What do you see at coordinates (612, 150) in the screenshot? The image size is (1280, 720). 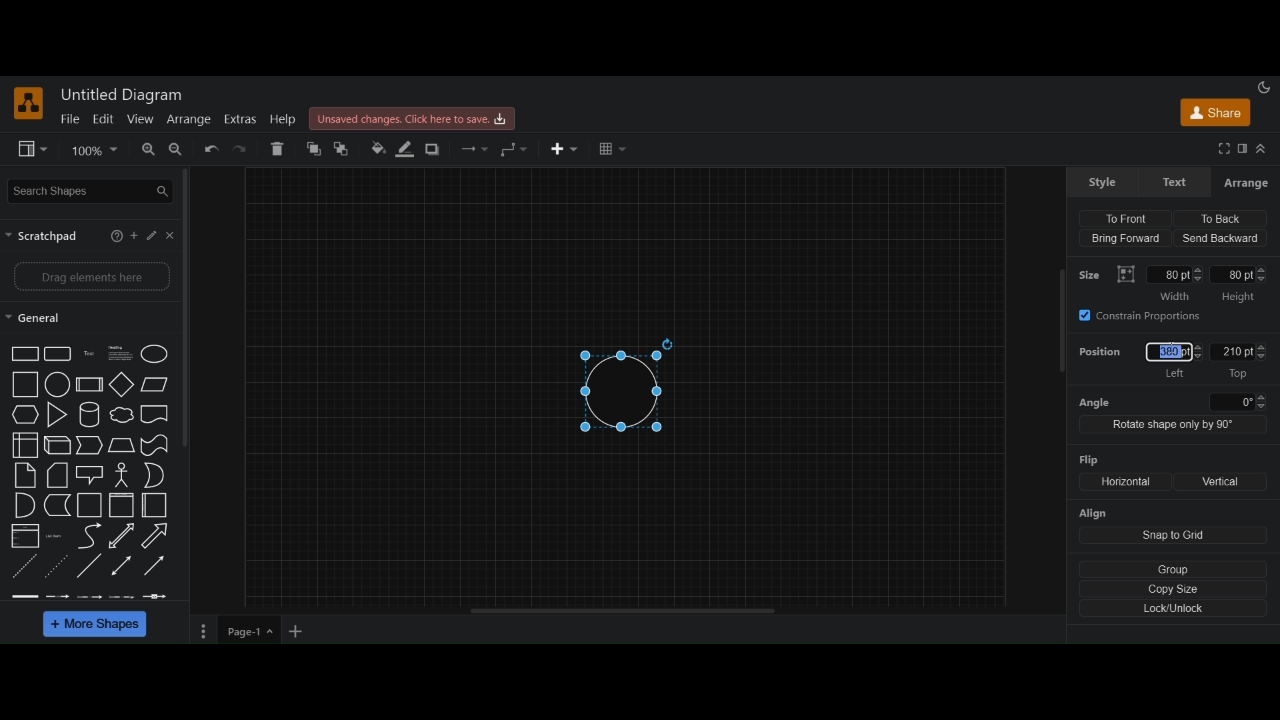 I see `table` at bounding box center [612, 150].